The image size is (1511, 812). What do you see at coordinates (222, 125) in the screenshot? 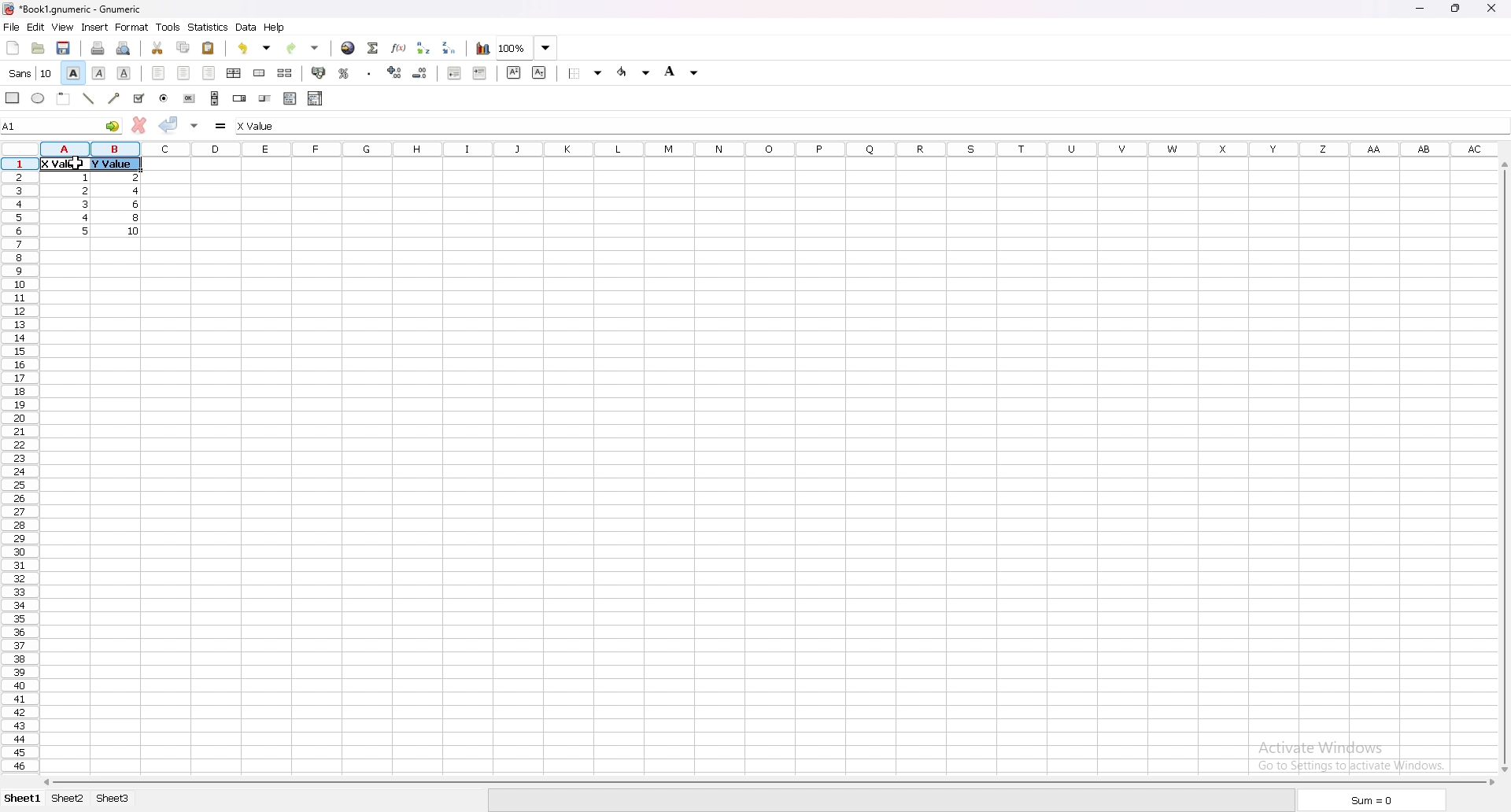
I see `formula` at bounding box center [222, 125].